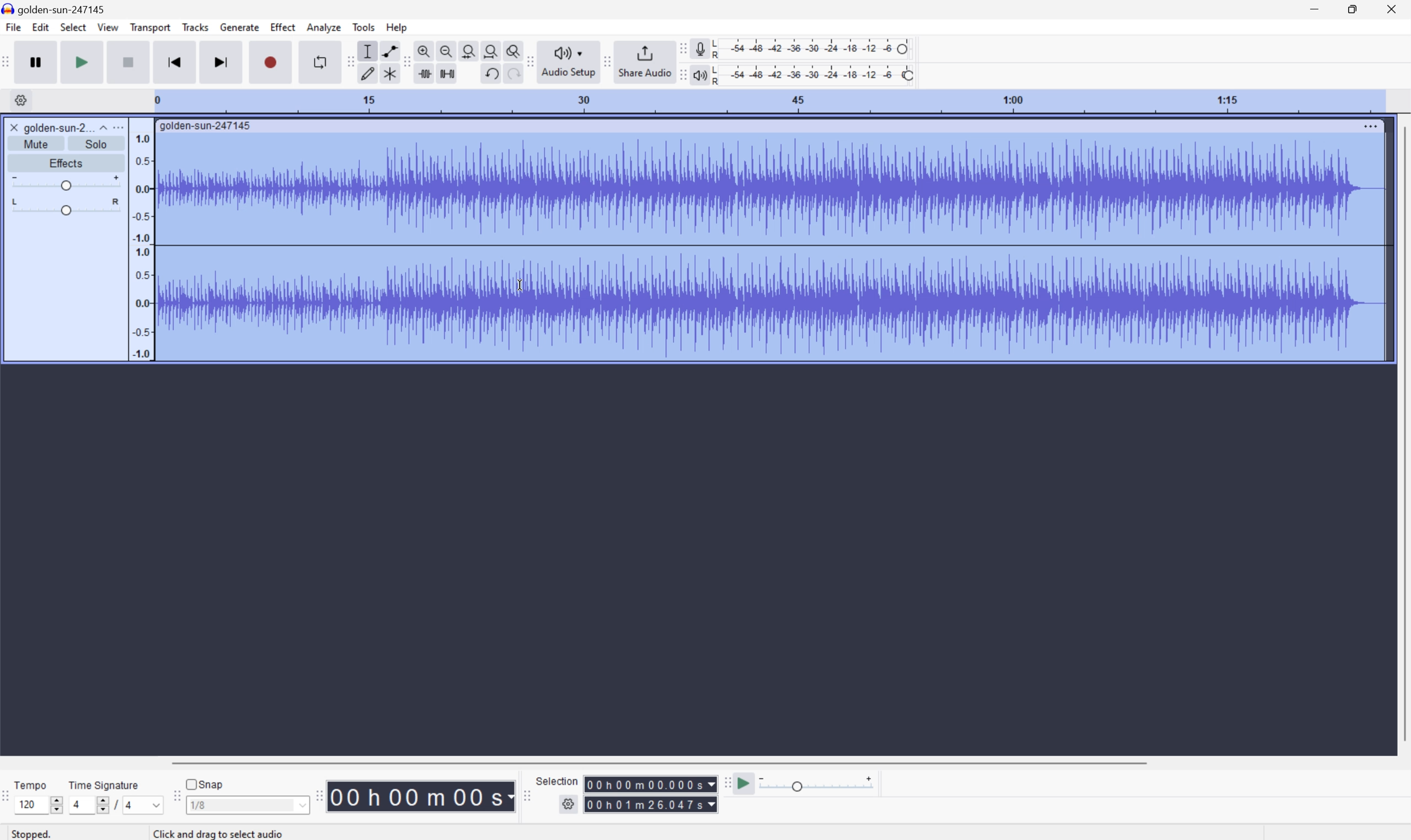 The image size is (1411, 840). Describe the element at coordinates (324, 27) in the screenshot. I see `Analyze` at that location.